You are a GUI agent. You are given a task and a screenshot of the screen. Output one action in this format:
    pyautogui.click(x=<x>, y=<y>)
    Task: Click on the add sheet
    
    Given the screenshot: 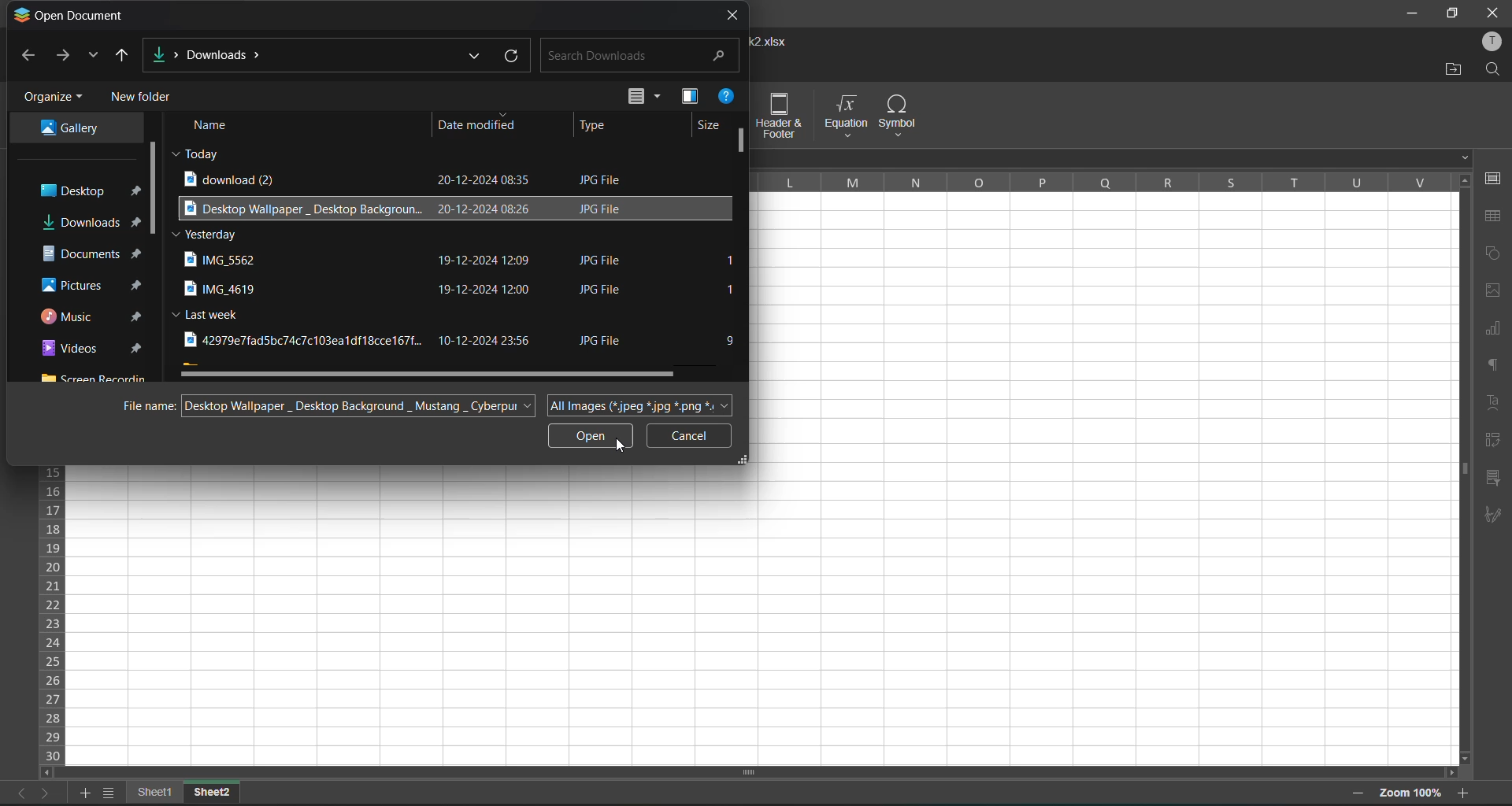 What is the action you would take?
    pyautogui.click(x=85, y=794)
    